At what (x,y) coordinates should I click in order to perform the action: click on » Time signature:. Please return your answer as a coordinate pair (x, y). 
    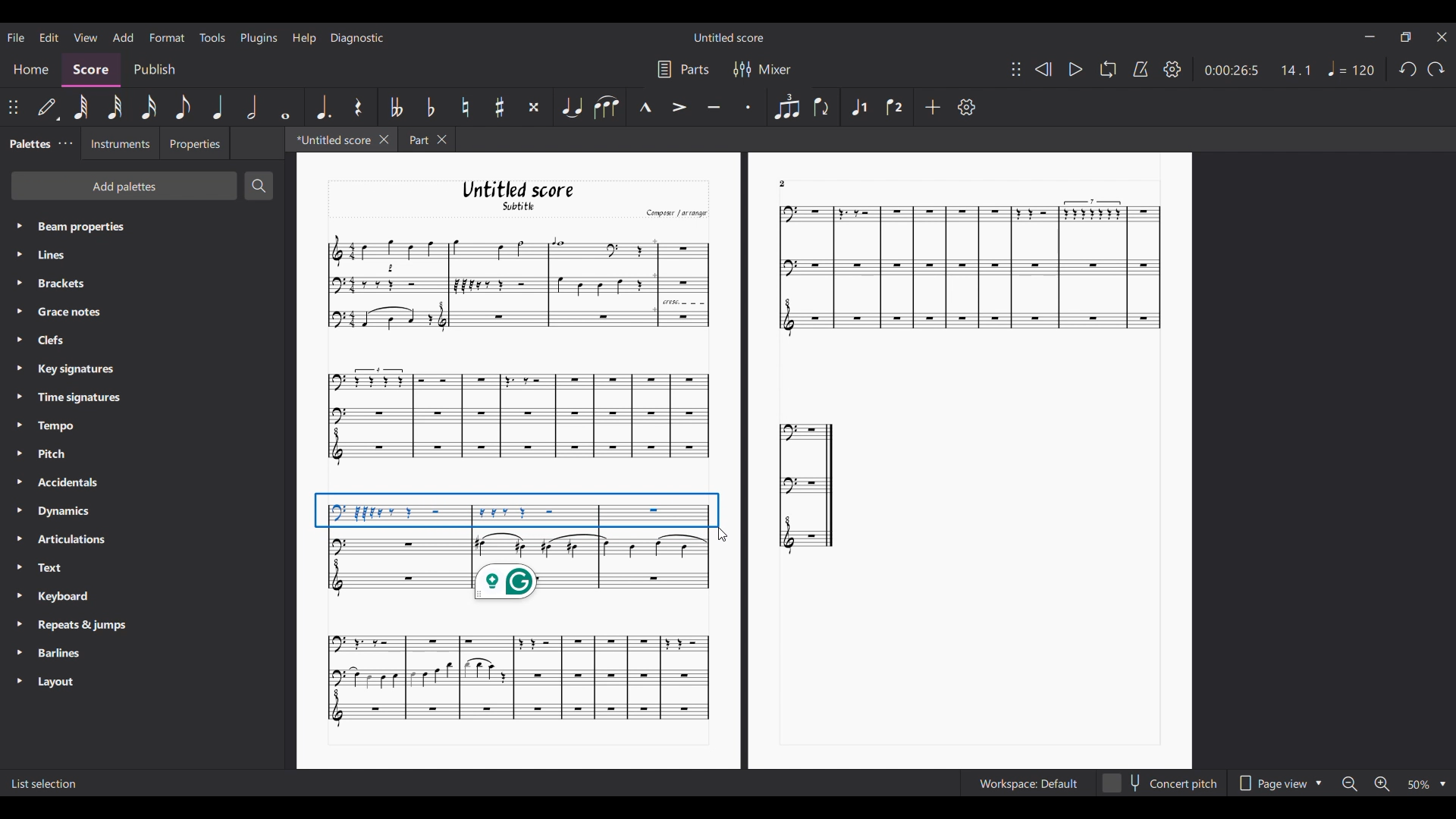
    Looking at the image, I should click on (68, 397).